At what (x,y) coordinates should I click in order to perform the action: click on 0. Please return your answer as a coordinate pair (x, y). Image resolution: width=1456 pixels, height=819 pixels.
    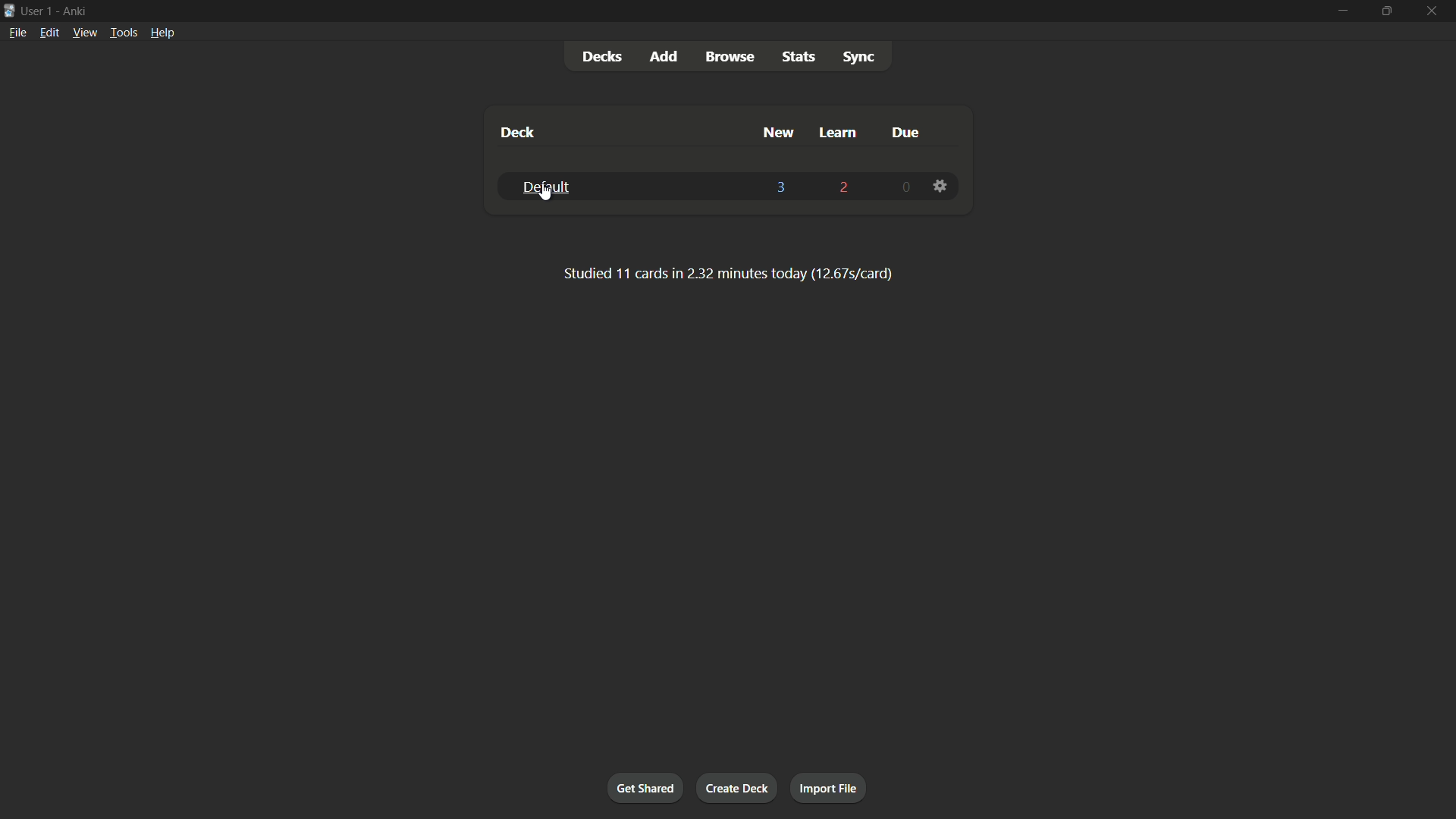
    Looking at the image, I should click on (908, 188).